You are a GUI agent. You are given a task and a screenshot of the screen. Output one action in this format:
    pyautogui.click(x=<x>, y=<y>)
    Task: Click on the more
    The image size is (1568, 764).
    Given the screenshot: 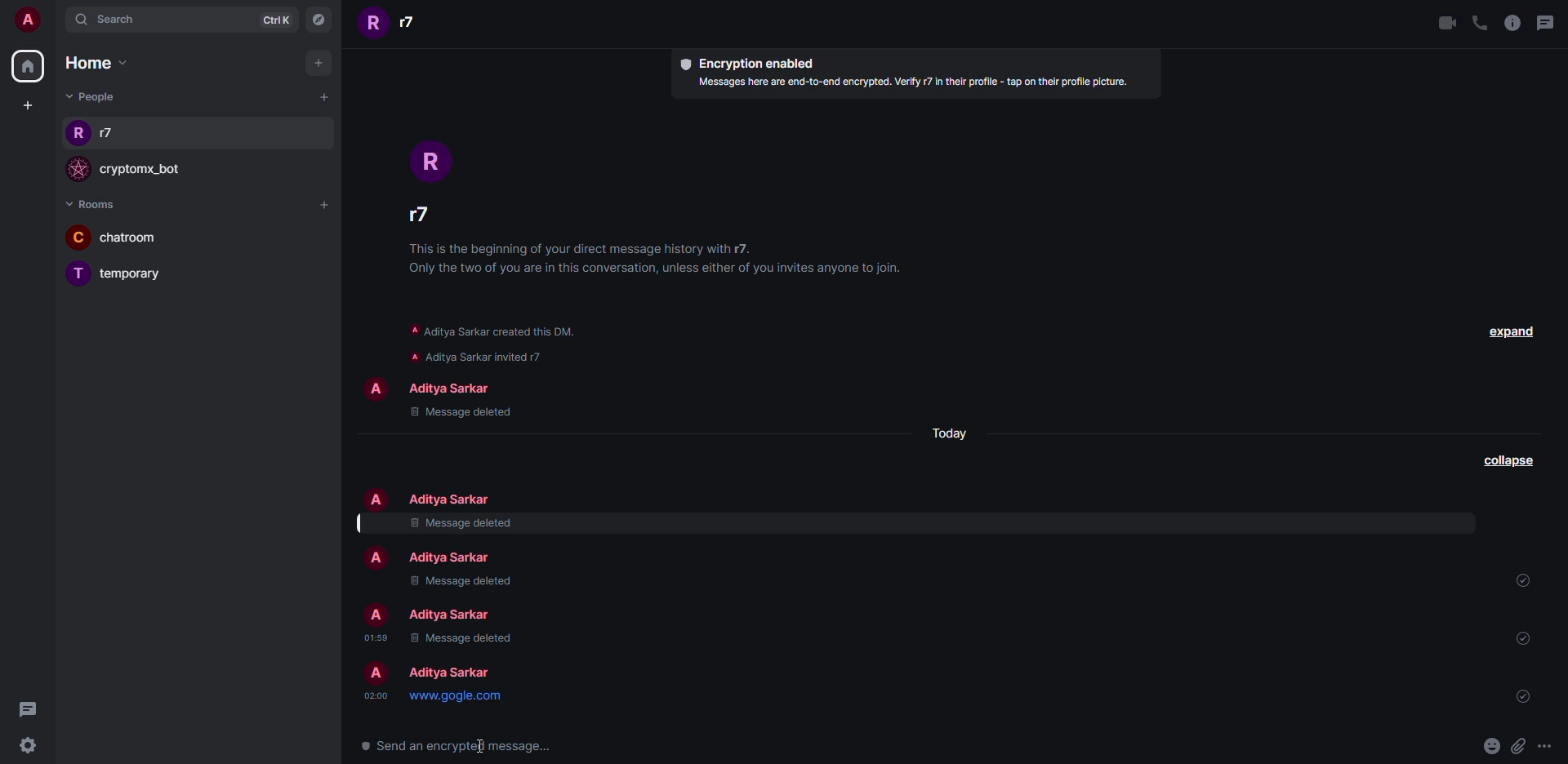 What is the action you would take?
    pyautogui.click(x=1546, y=746)
    